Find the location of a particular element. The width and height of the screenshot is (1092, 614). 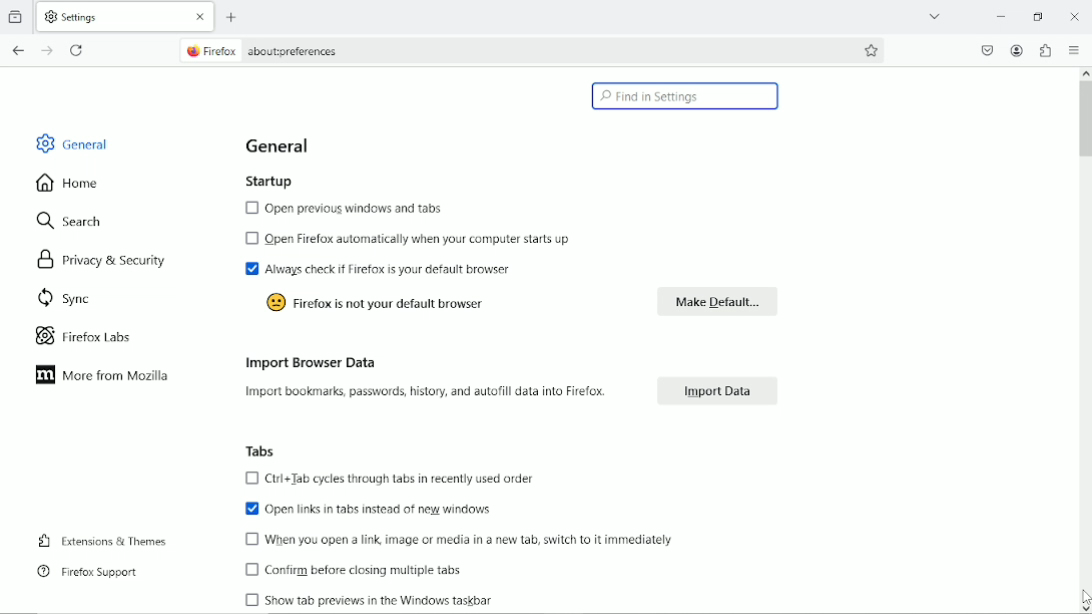

extensions is located at coordinates (1044, 50).